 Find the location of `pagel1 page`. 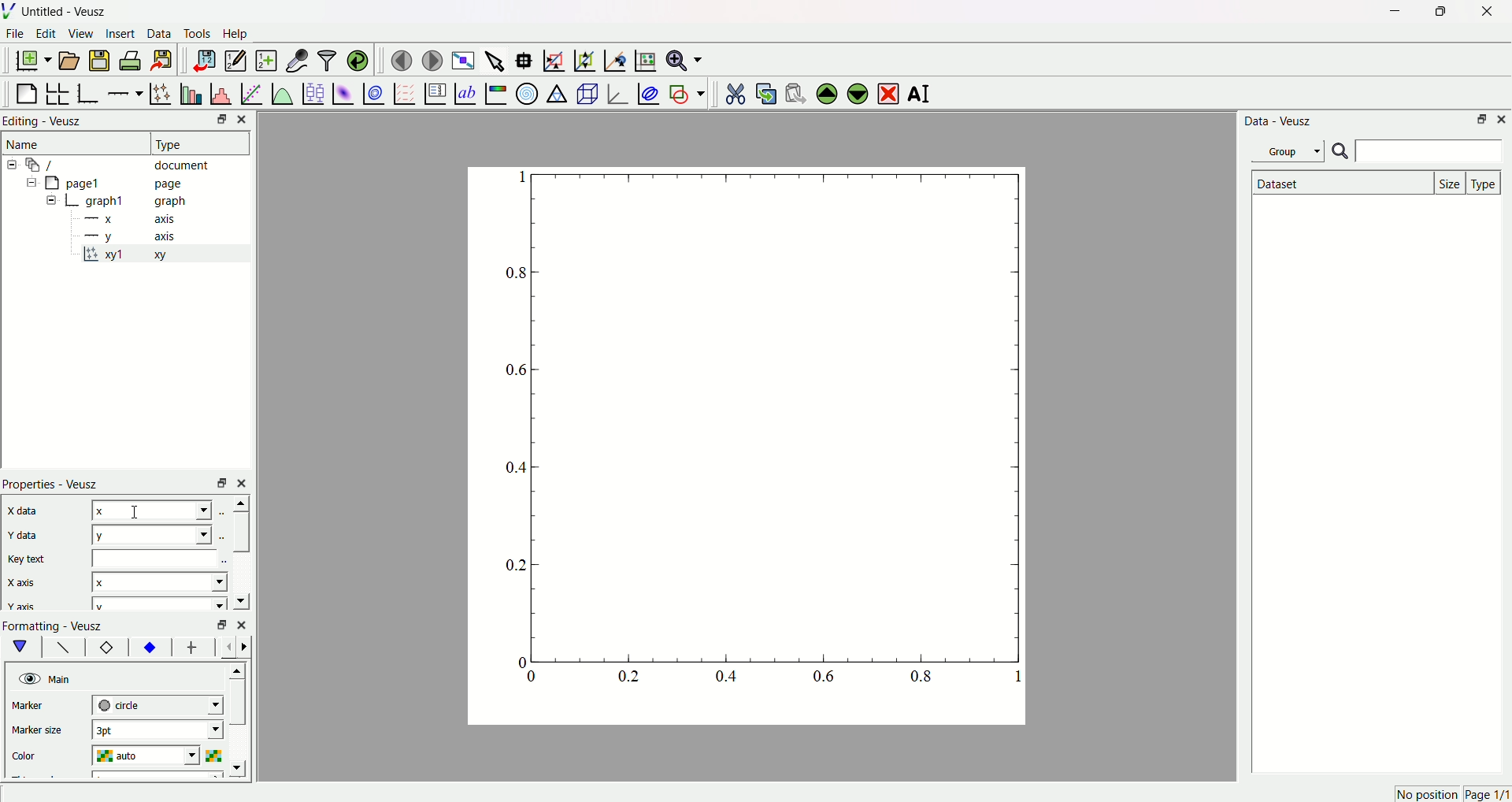

pagel1 page is located at coordinates (126, 183).